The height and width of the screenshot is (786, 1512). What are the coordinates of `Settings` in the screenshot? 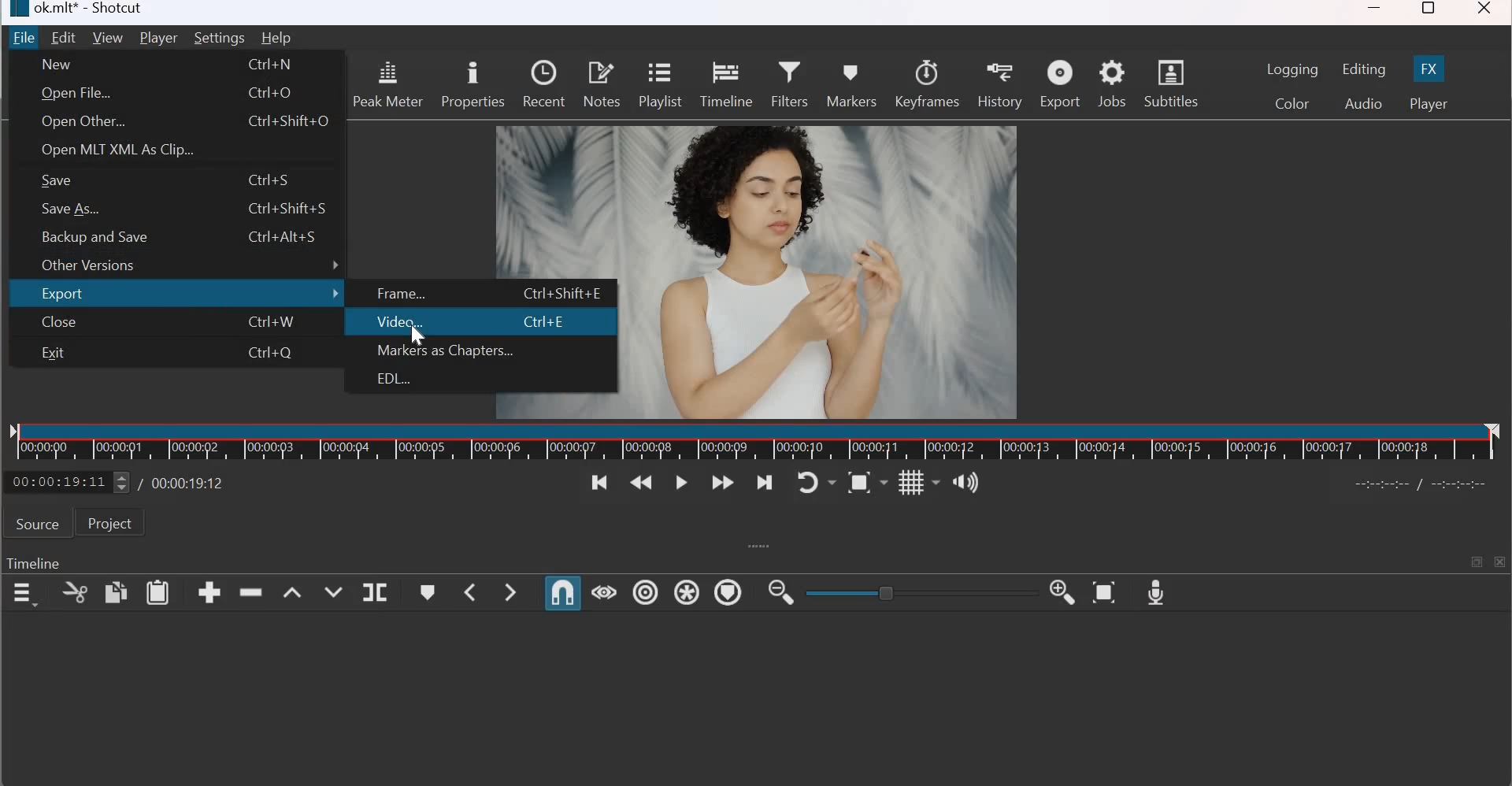 It's located at (219, 38).